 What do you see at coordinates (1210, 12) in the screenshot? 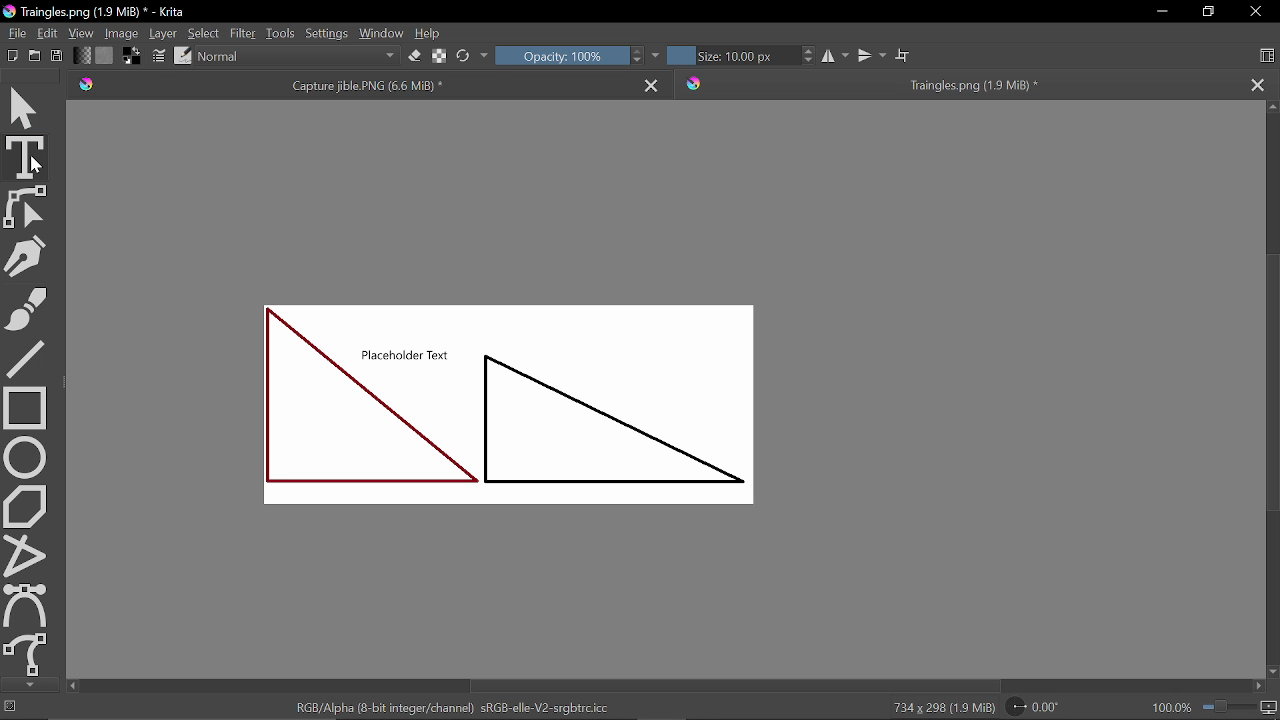
I see `Restore down` at bounding box center [1210, 12].